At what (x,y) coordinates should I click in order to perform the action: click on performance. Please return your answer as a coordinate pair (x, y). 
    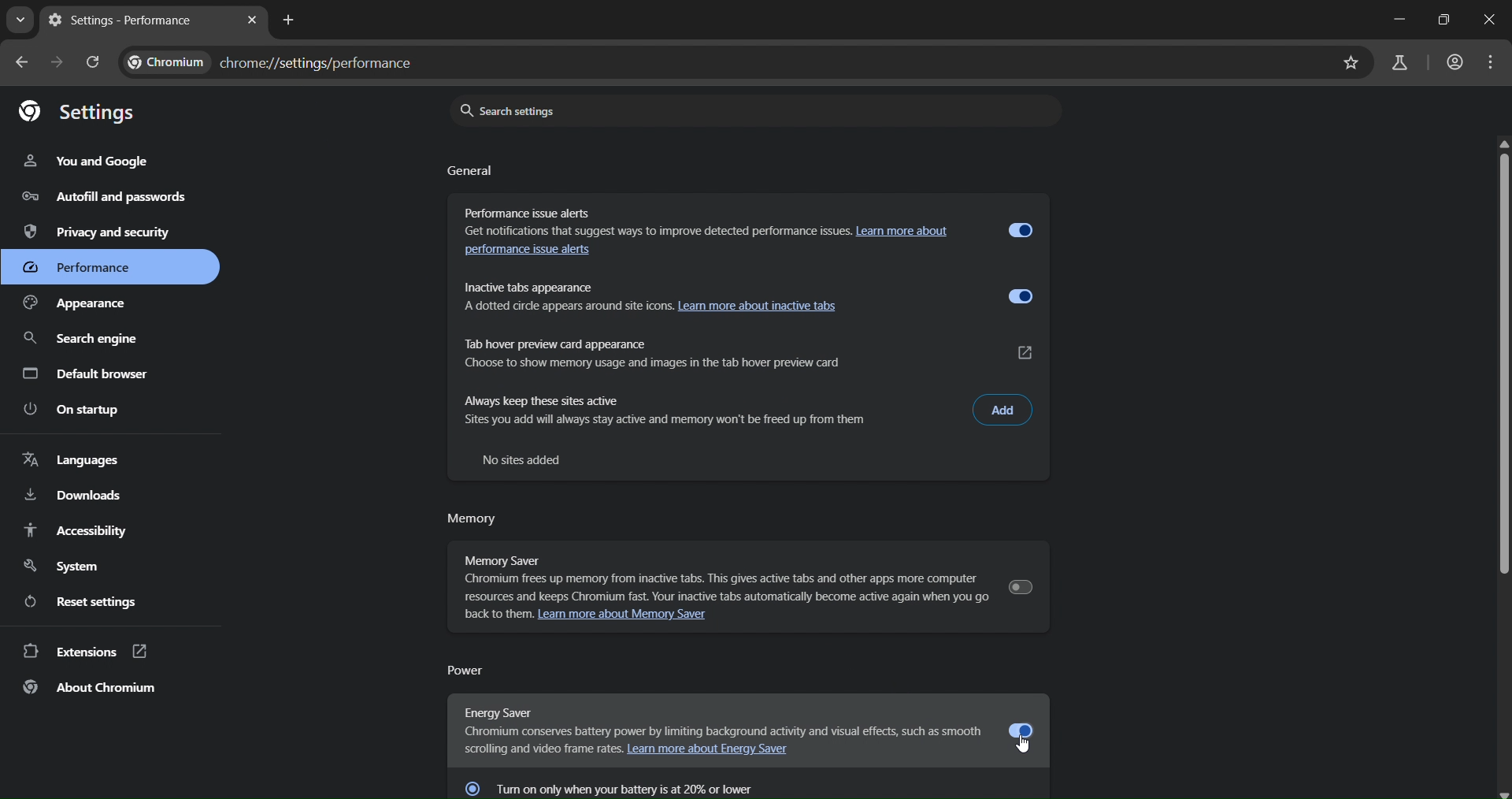
    Looking at the image, I should click on (86, 270).